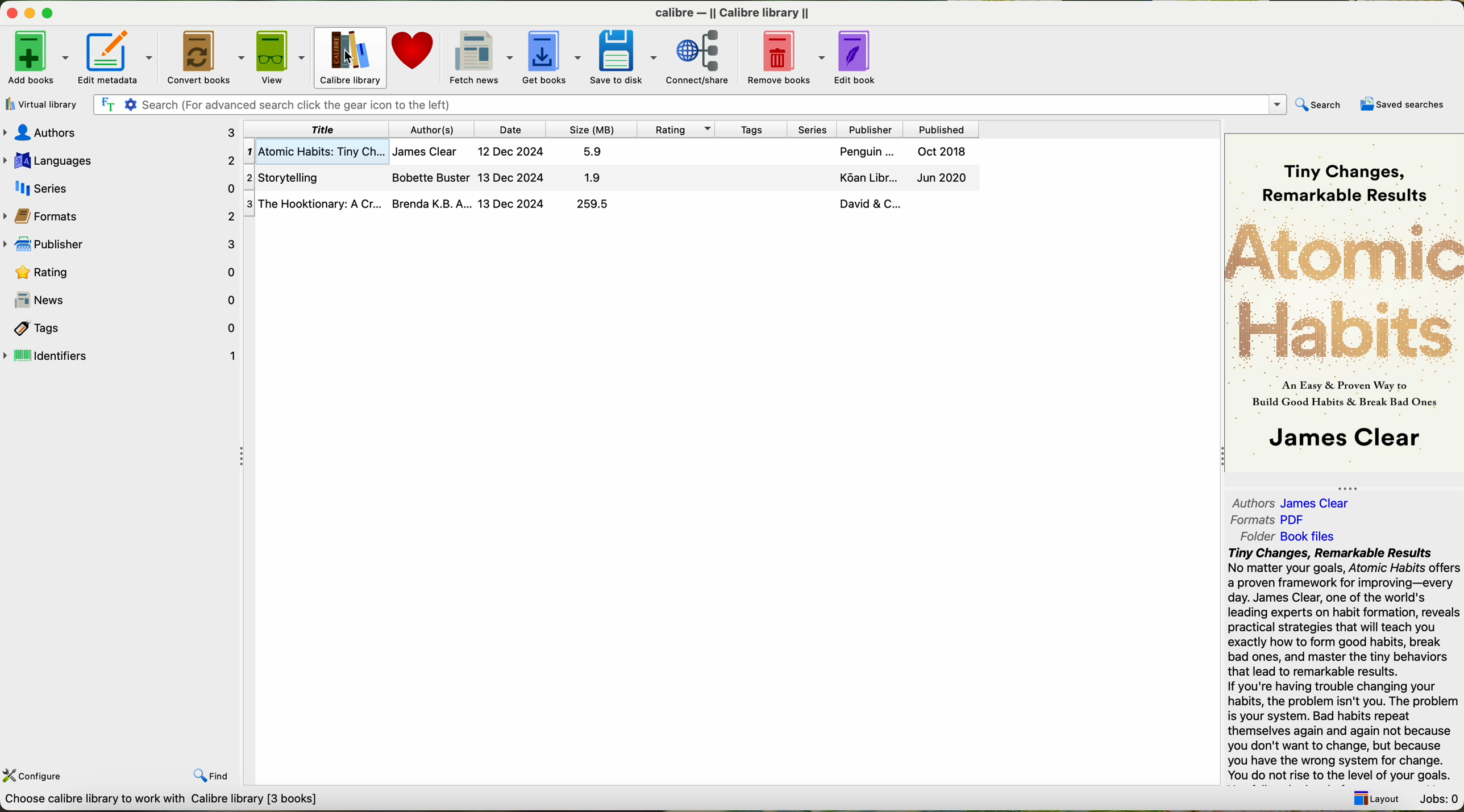 Image resolution: width=1464 pixels, height=812 pixels. Describe the element at coordinates (35, 774) in the screenshot. I see `configure` at that location.